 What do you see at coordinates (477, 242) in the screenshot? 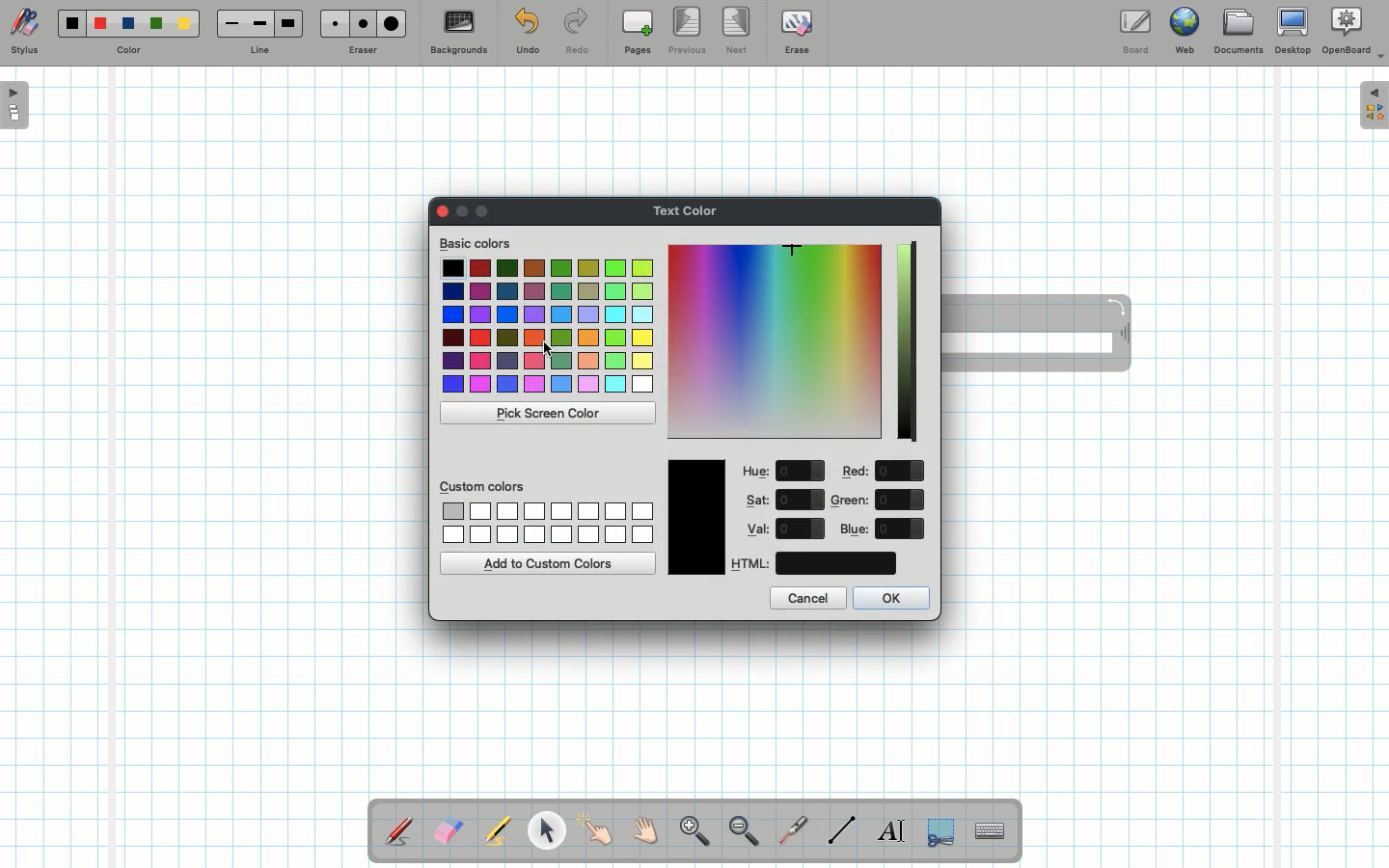
I see `Basic colors` at bounding box center [477, 242].